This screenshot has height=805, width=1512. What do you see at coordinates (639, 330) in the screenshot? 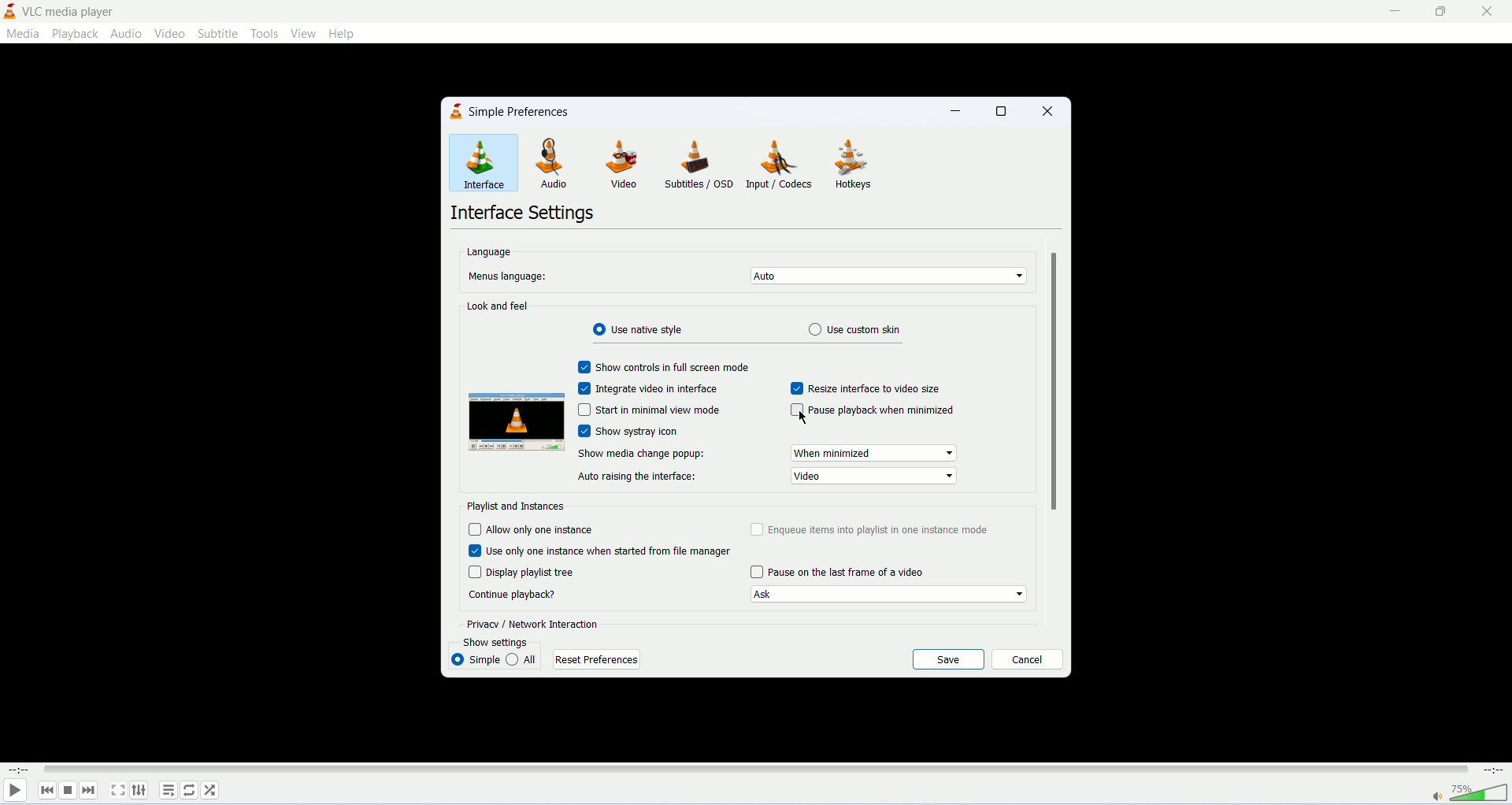
I see `use native style` at bounding box center [639, 330].